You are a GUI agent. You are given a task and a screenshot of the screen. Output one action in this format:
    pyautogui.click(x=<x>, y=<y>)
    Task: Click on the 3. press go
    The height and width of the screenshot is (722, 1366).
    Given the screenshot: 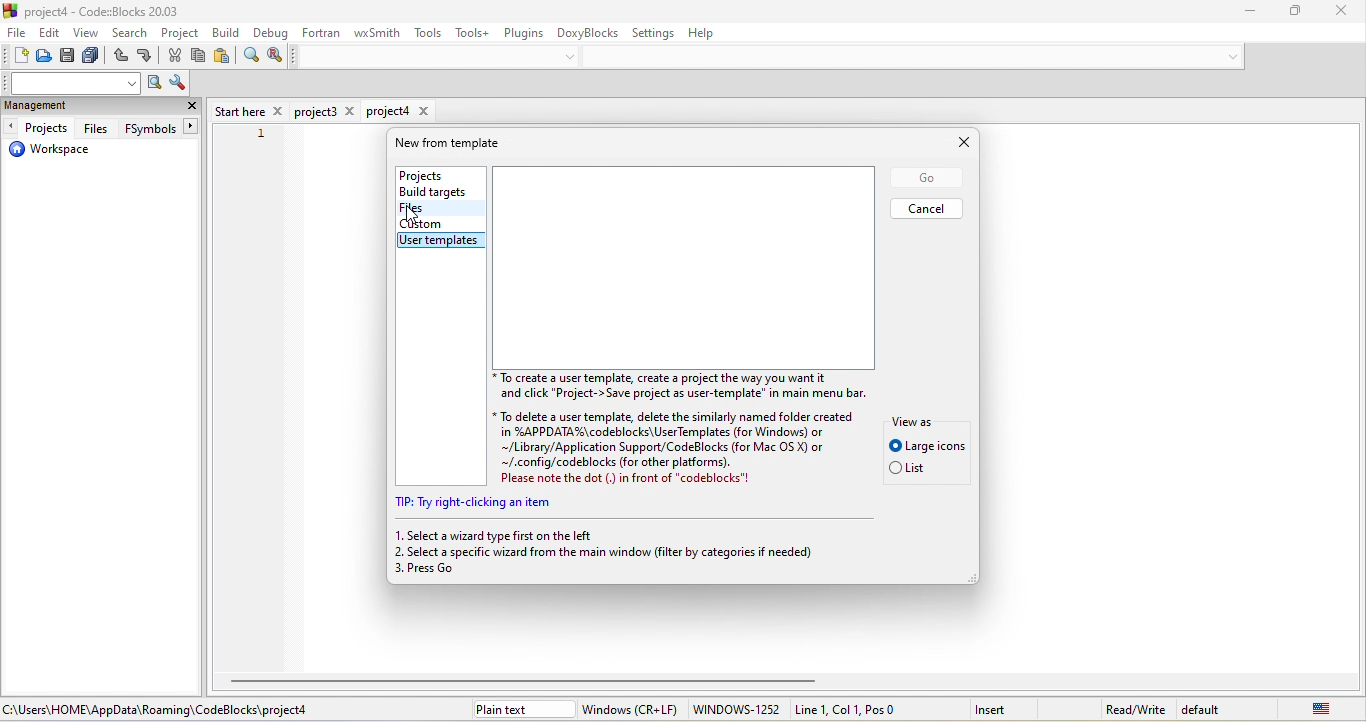 What is the action you would take?
    pyautogui.click(x=438, y=572)
    